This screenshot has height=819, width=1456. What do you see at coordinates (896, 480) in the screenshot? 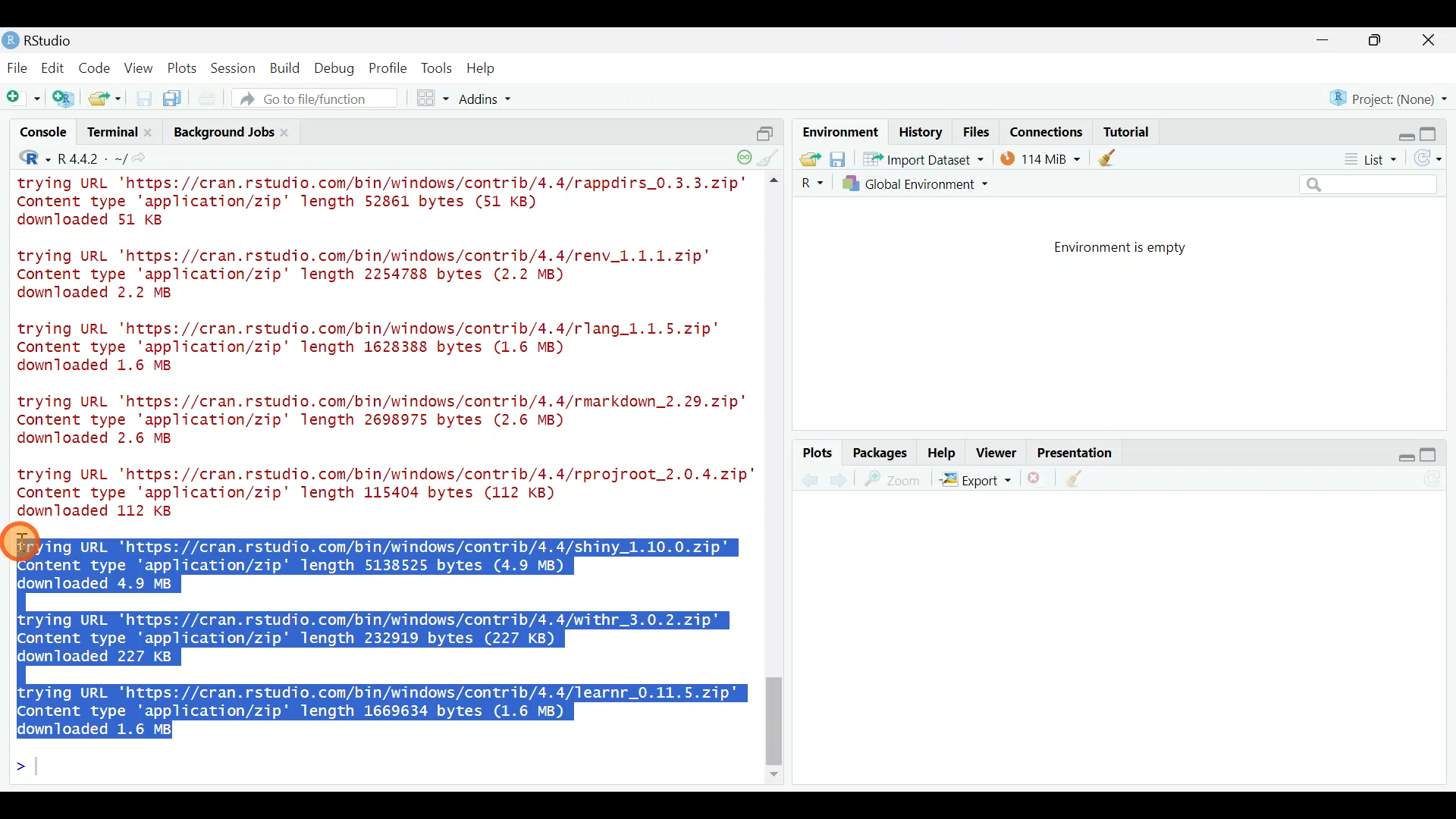
I see `zoom` at bounding box center [896, 480].